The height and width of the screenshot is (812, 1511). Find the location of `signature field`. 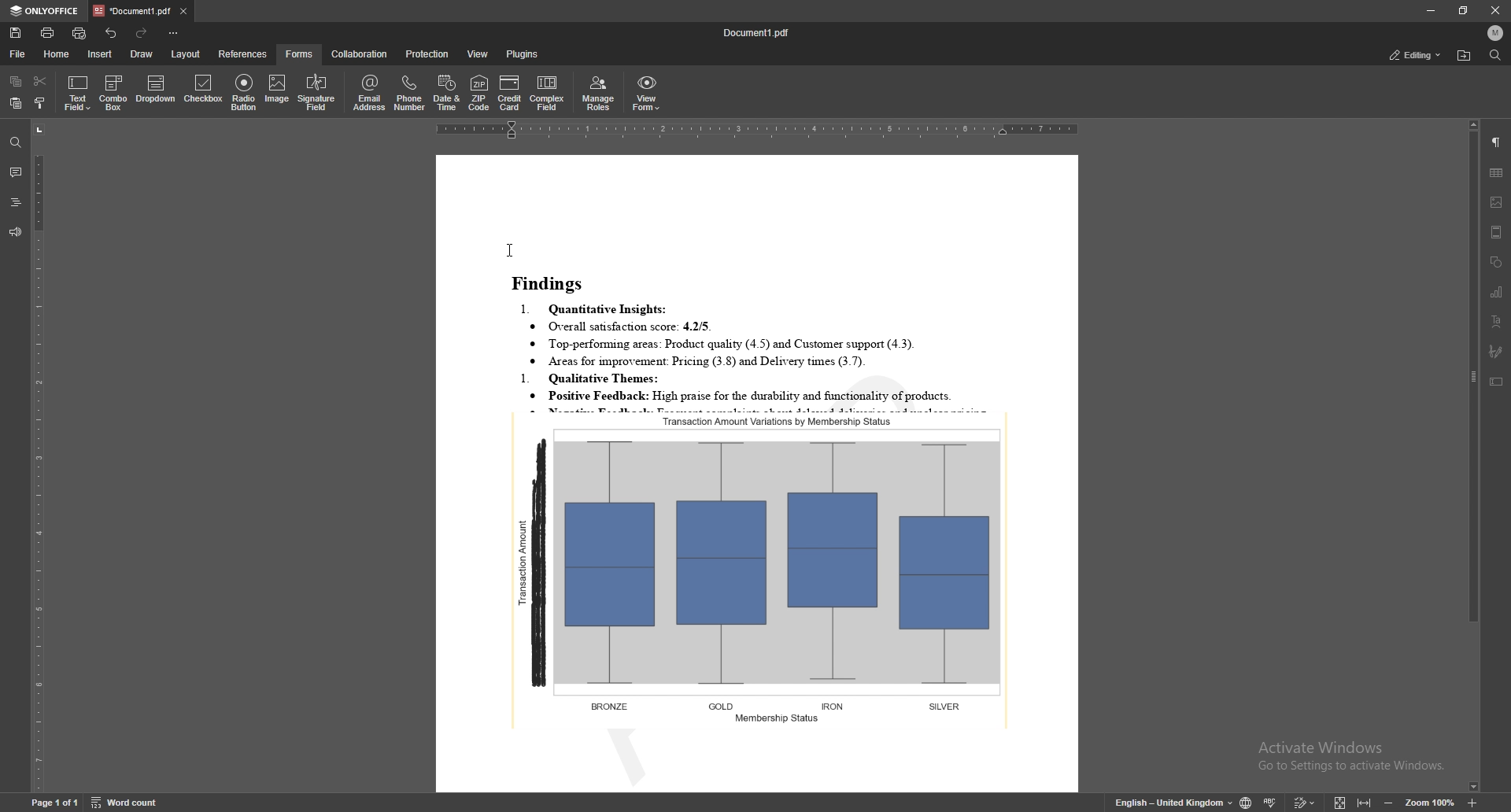

signature field is located at coordinates (317, 92).